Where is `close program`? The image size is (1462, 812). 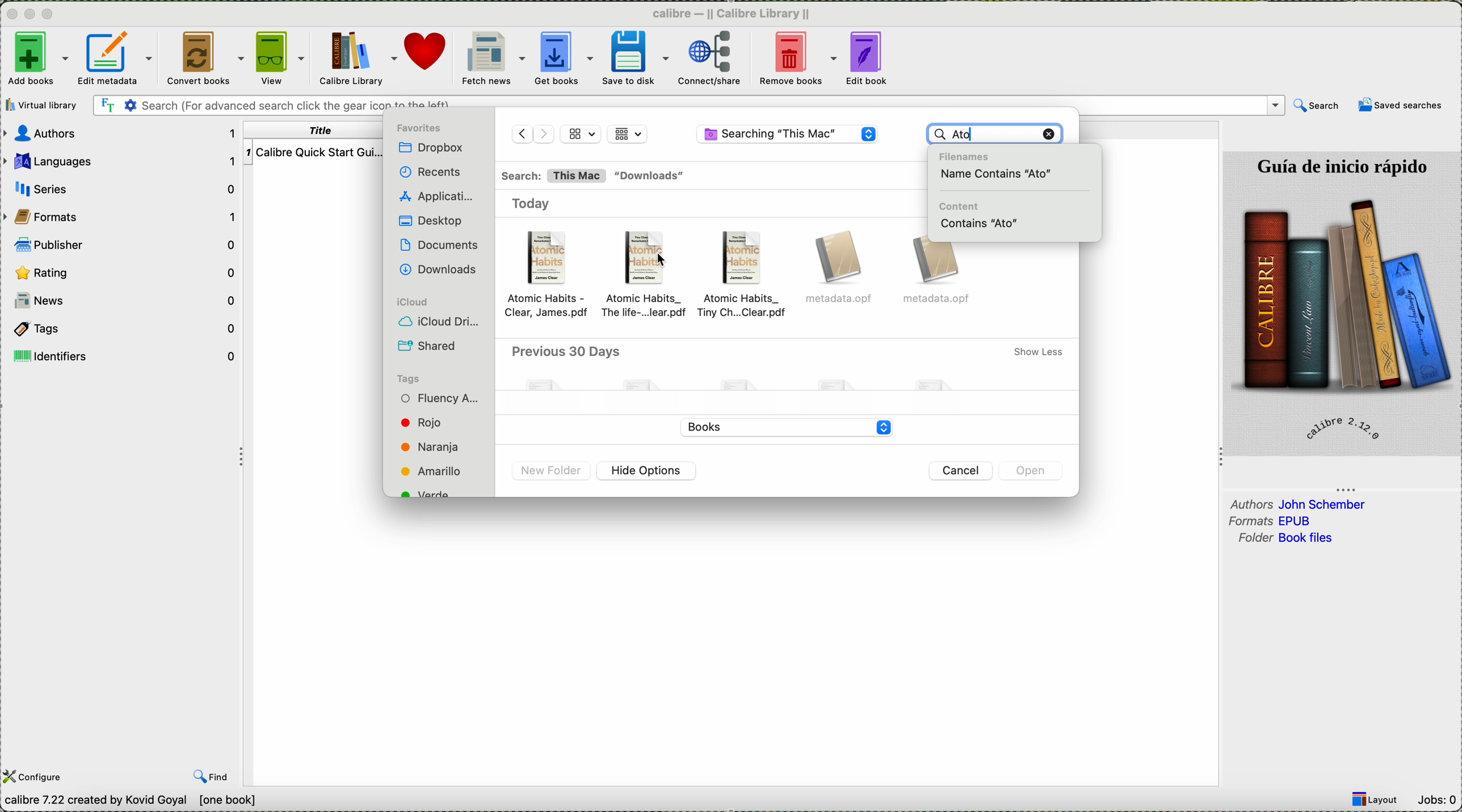
close program is located at coordinates (11, 14).